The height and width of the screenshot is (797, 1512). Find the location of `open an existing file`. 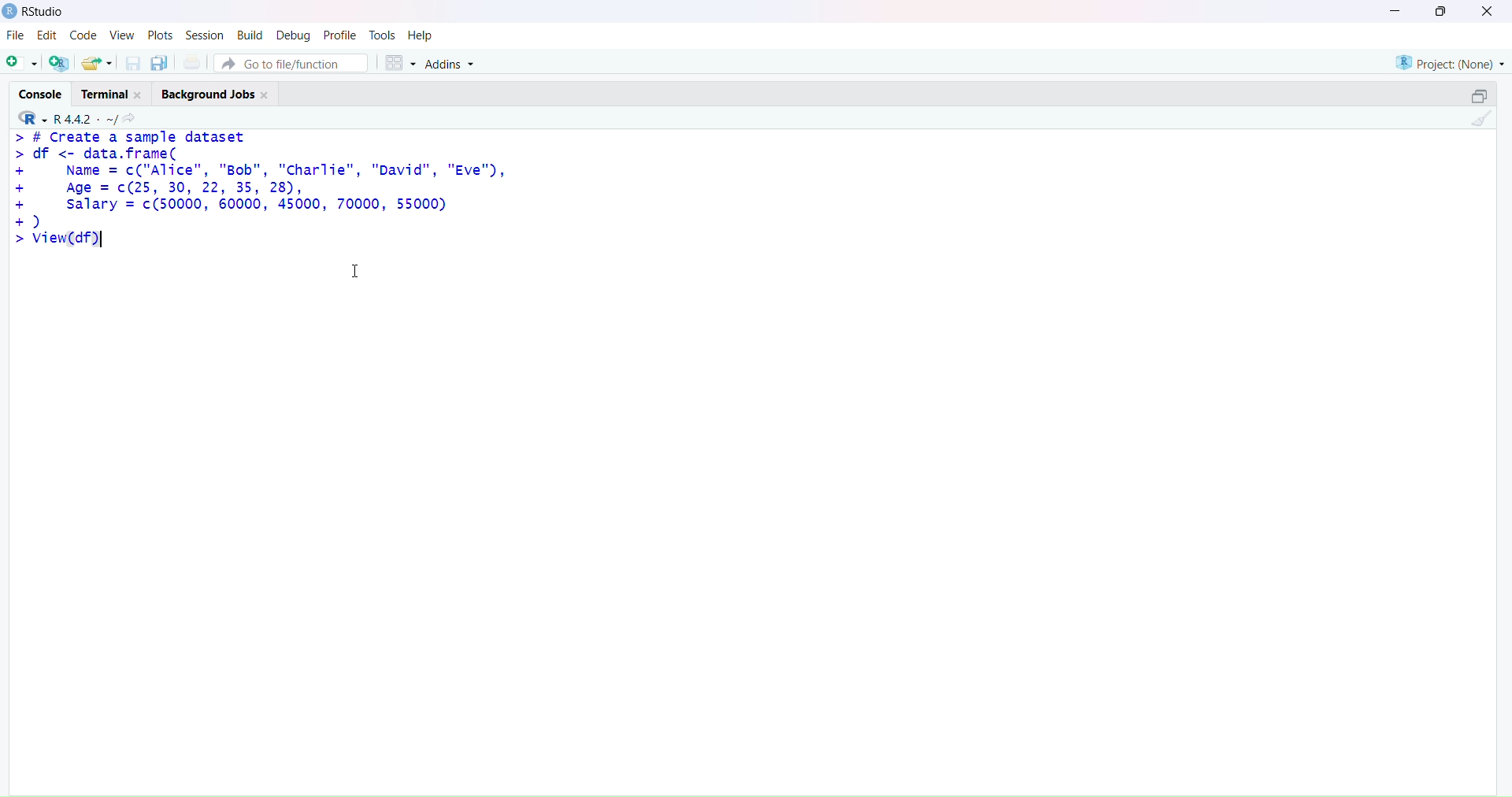

open an existing file is located at coordinates (98, 65).